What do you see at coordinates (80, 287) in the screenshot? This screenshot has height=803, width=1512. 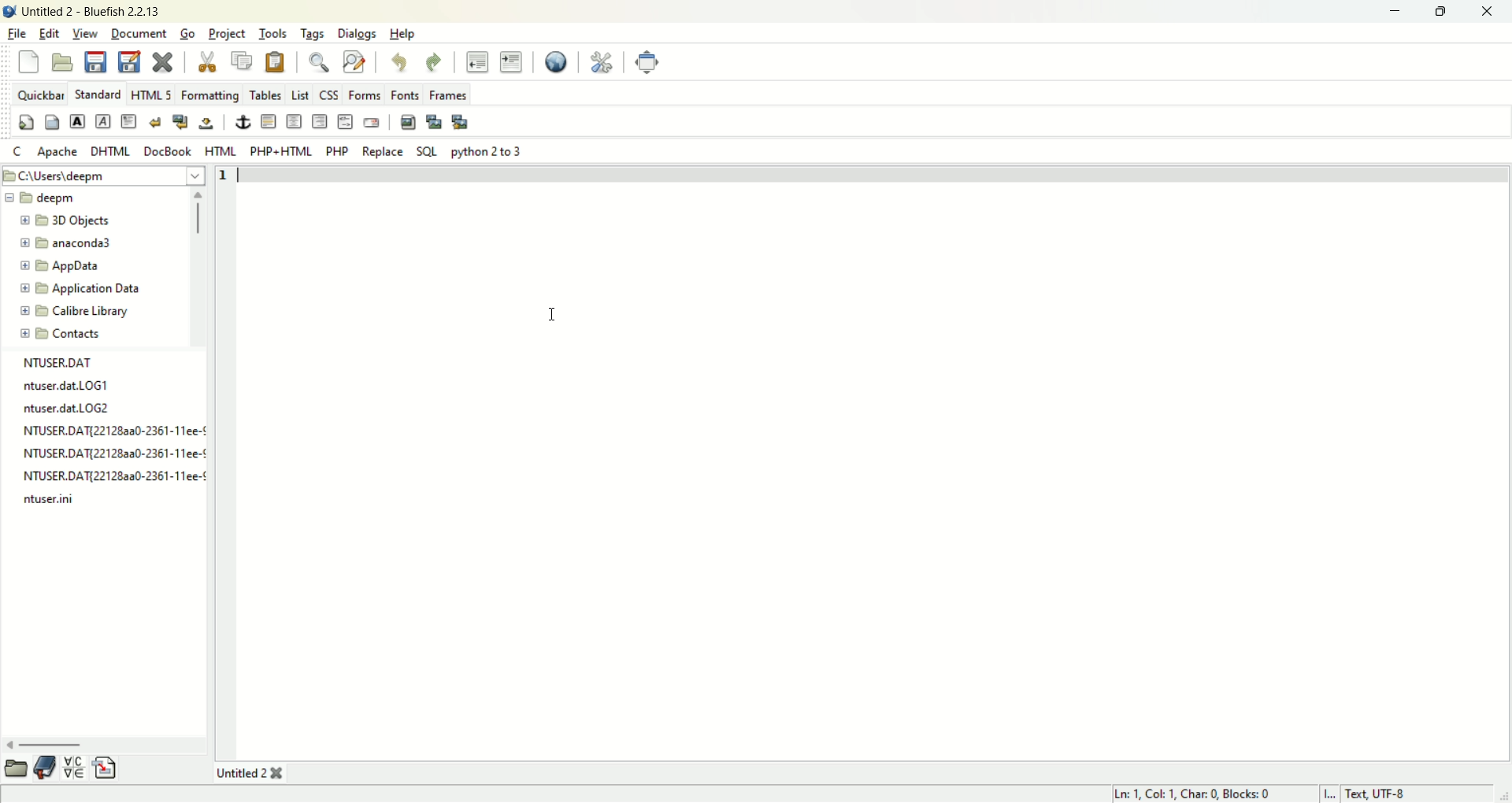 I see `application data` at bounding box center [80, 287].